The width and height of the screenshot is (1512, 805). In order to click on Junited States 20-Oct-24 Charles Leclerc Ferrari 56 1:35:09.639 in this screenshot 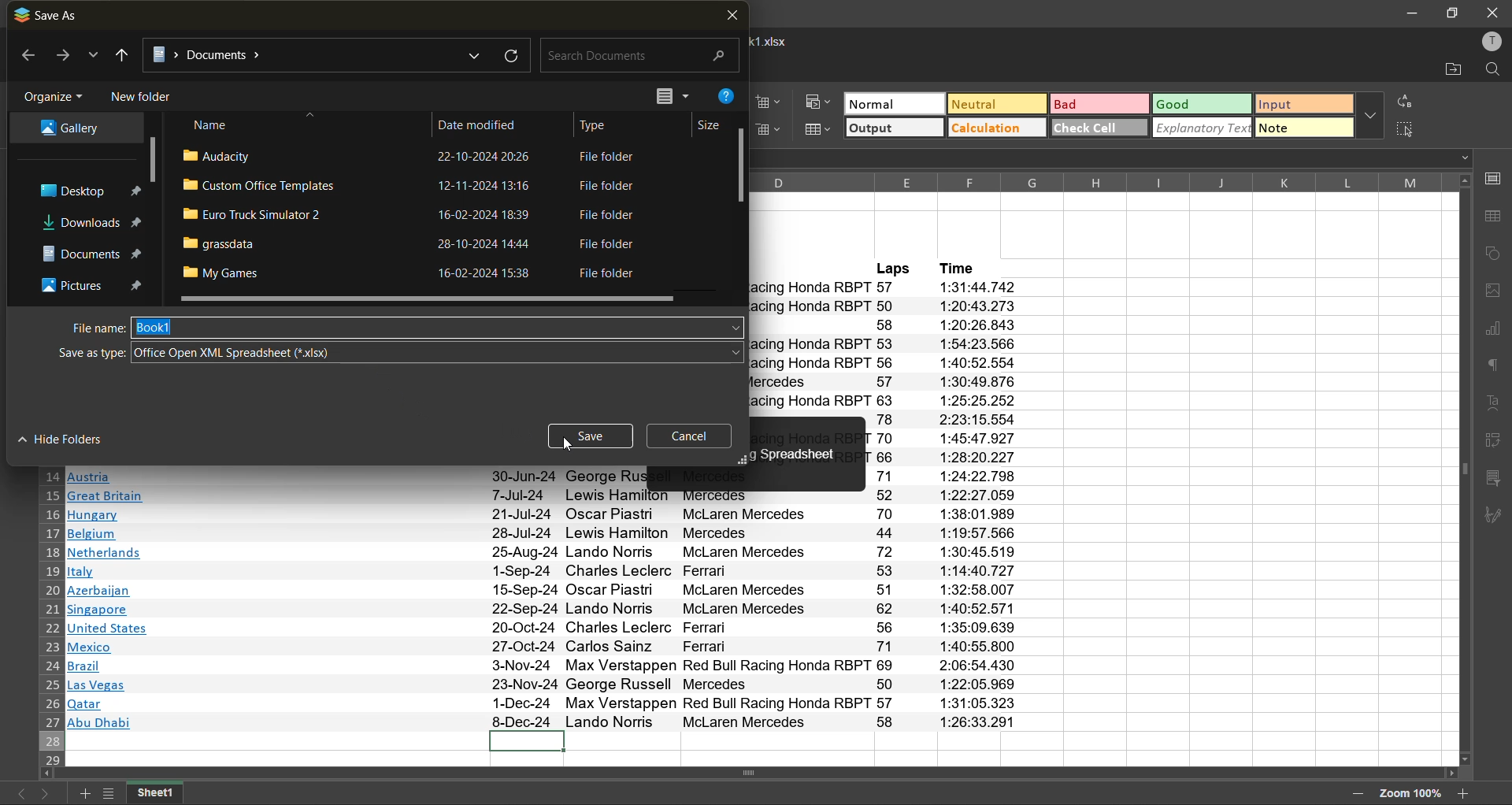, I will do `click(544, 629)`.